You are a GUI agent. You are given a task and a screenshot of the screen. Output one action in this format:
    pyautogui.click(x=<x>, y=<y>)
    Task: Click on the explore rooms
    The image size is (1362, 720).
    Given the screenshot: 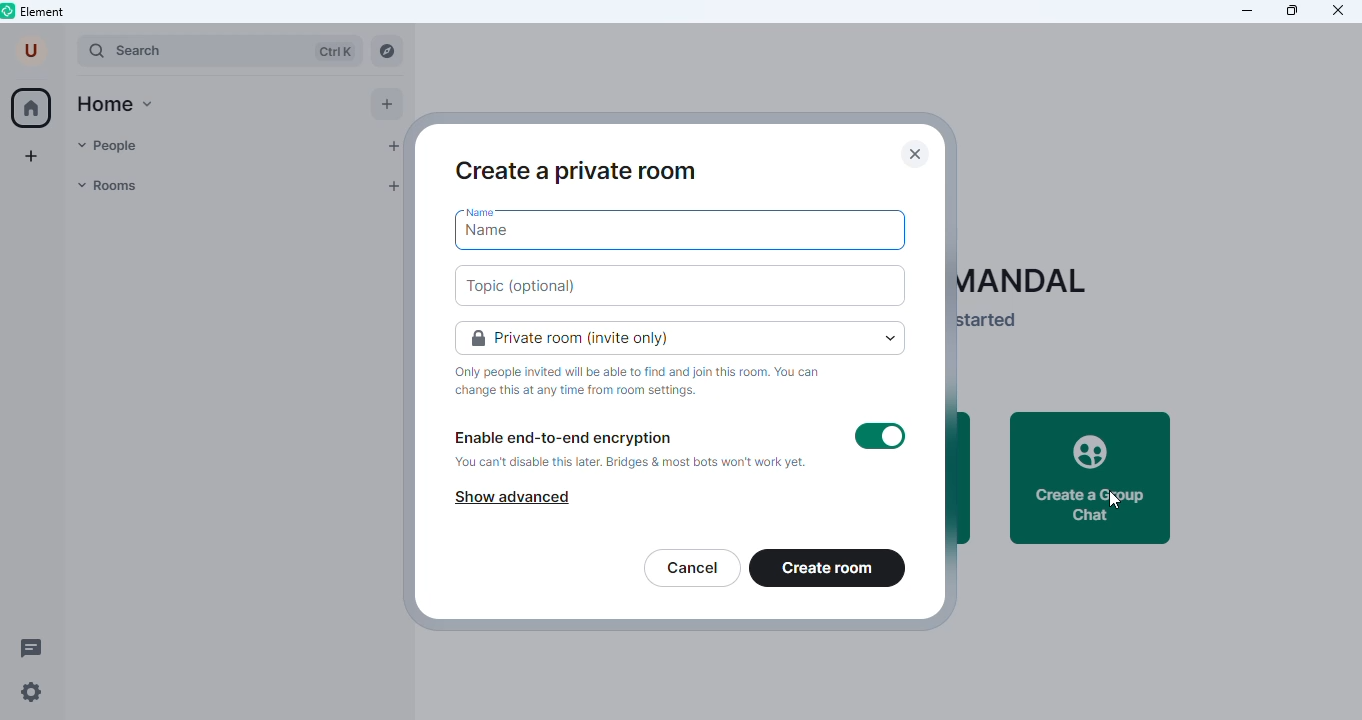 What is the action you would take?
    pyautogui.click(x=395, y=51)
    